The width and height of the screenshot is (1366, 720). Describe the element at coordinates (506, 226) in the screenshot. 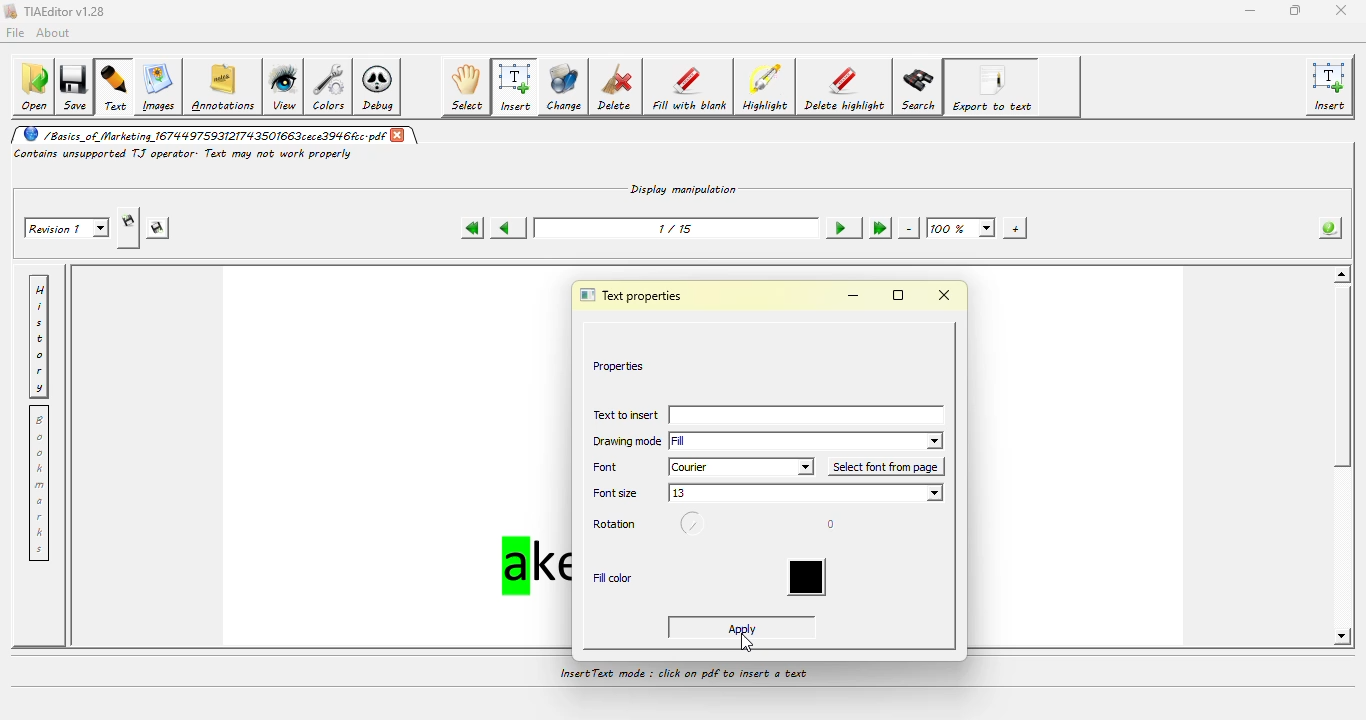

I see `previous page` at that location.